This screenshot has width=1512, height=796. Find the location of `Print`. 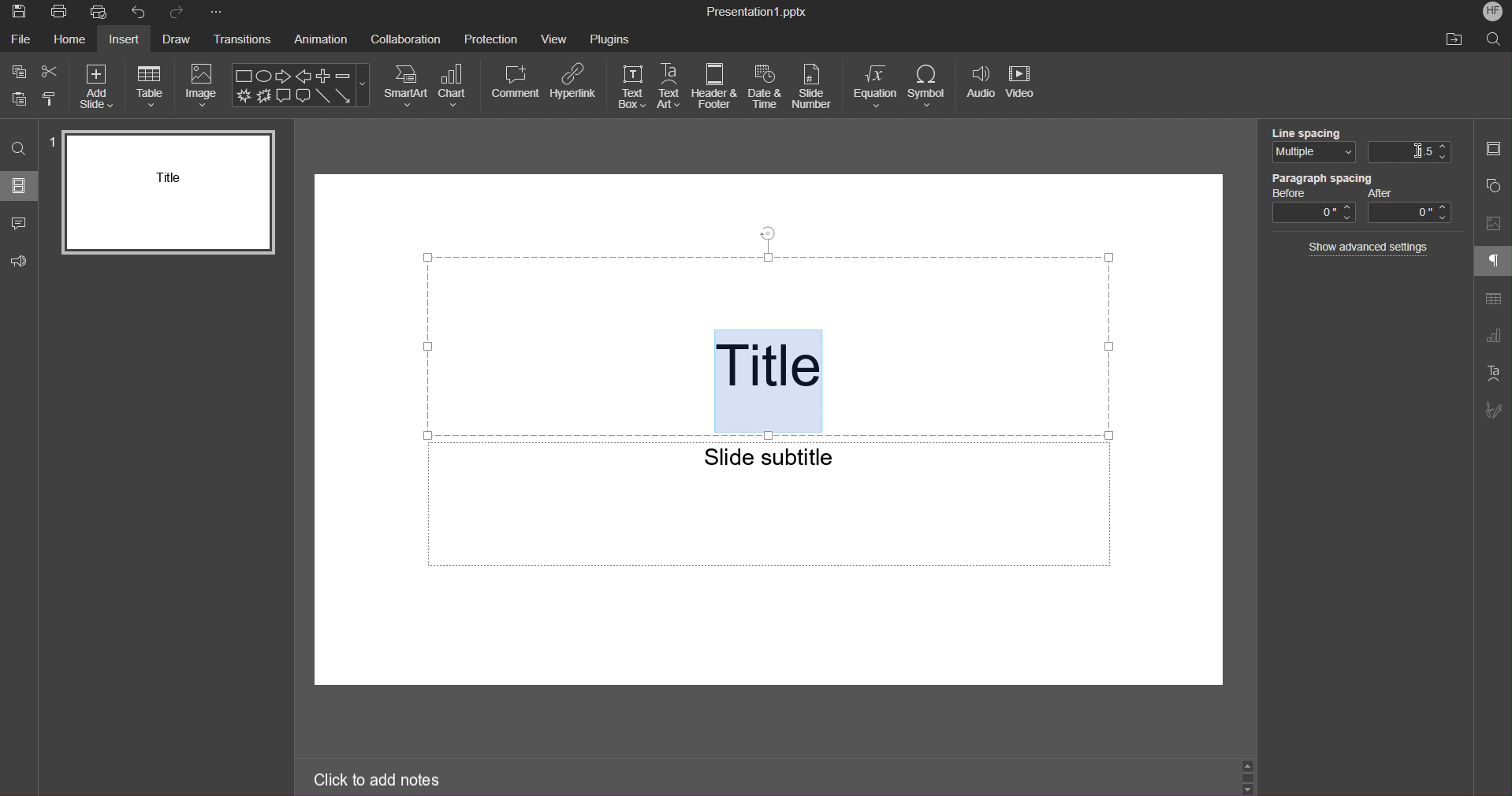

Print is located at coordinates (58, 13).